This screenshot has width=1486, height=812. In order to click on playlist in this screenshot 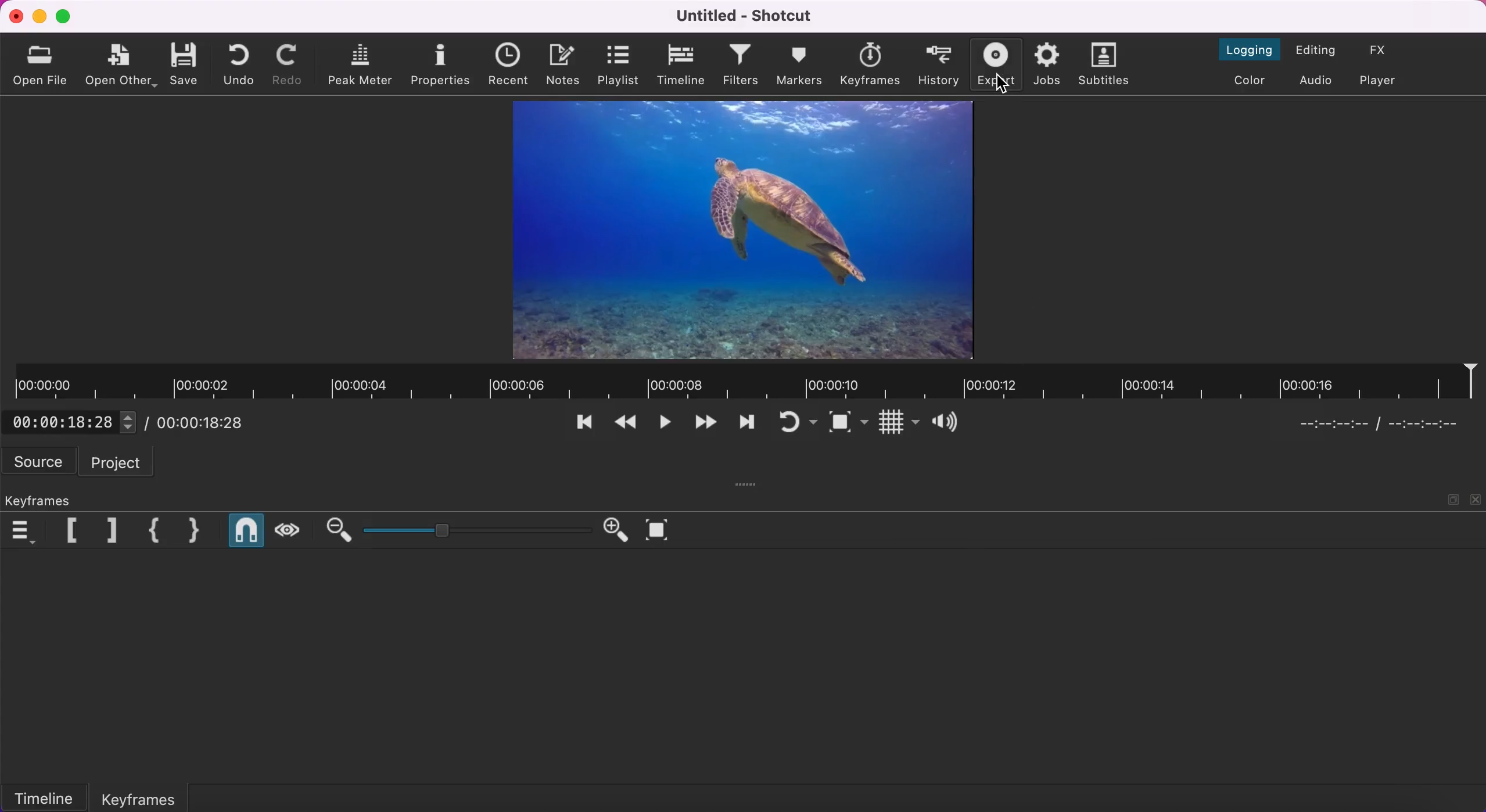, I will do `click(618, 64)`.